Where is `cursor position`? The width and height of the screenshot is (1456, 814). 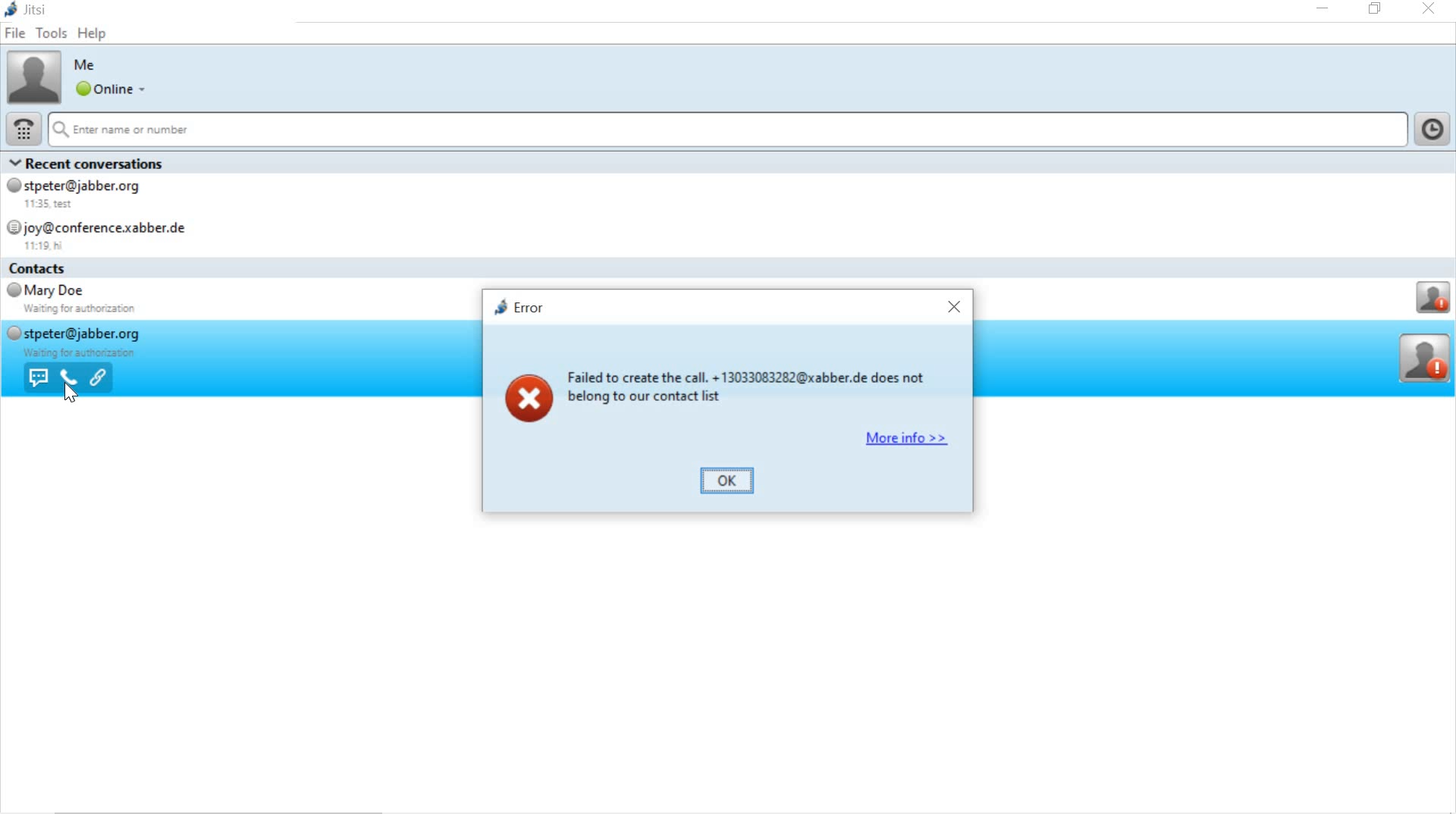
cursor position is located at coordinates (73, 393).